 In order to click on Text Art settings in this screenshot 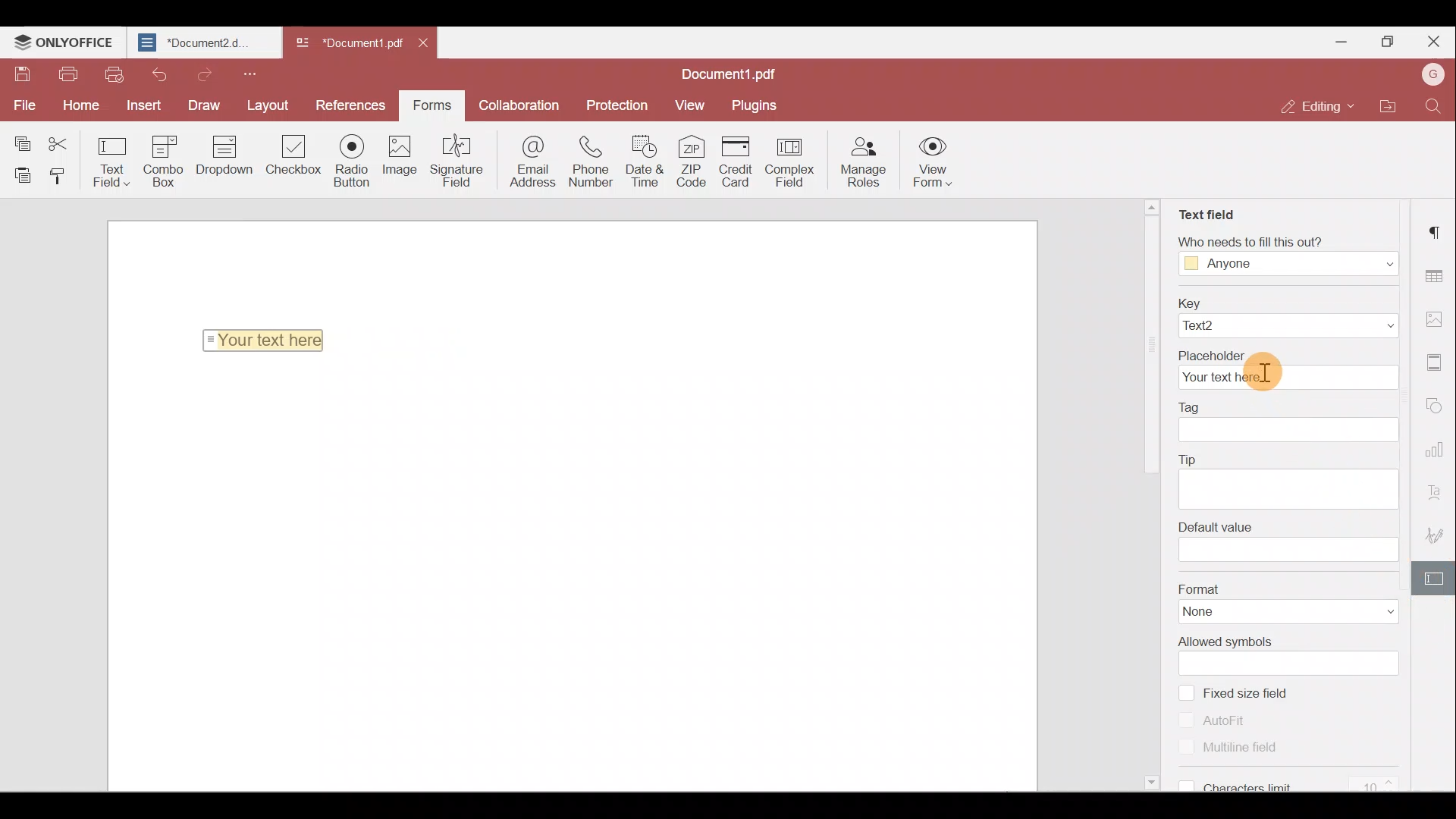, I will do `click(1438, 488)`.